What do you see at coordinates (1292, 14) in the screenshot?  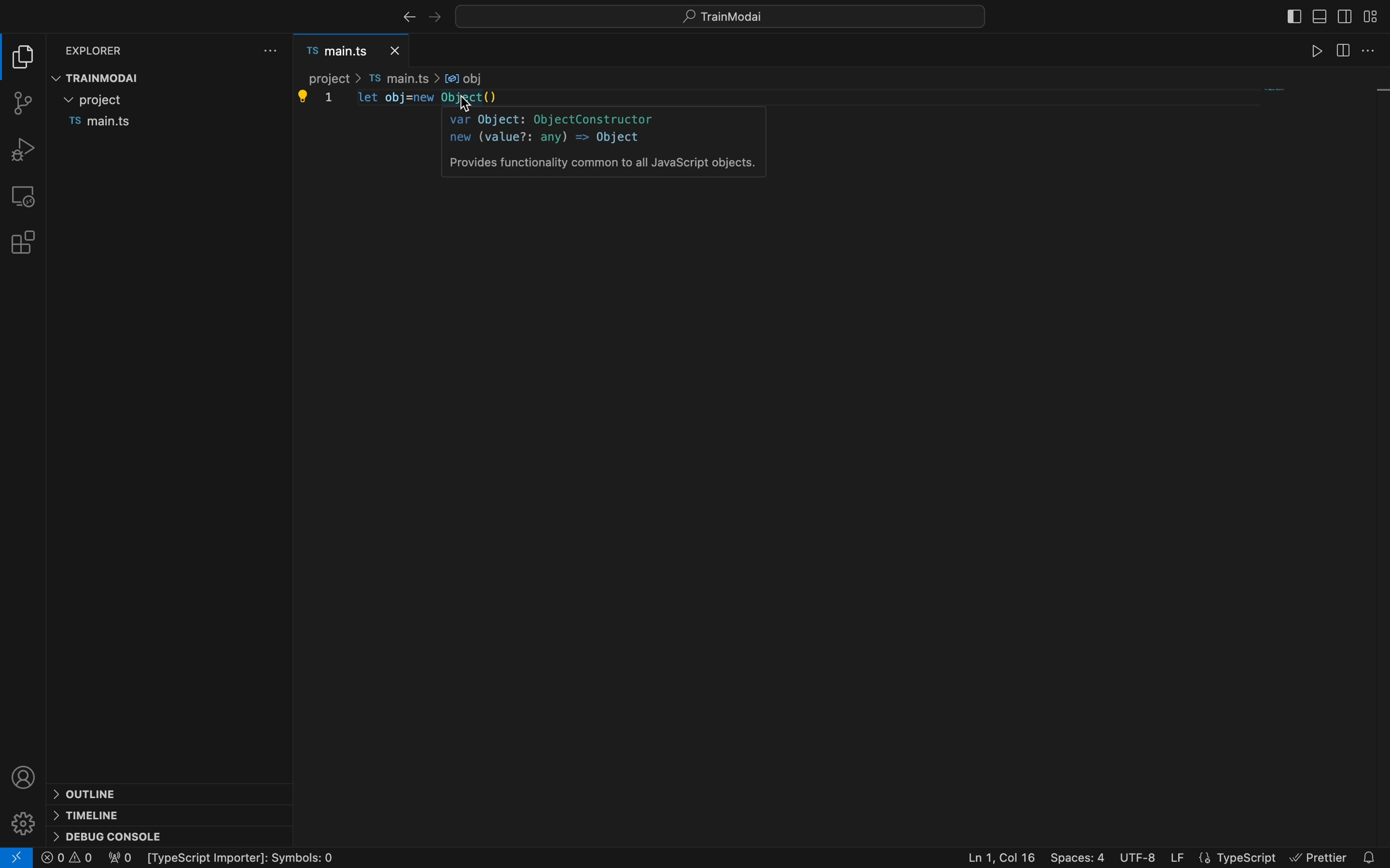 I see `toggle side bar` at bounding box center [1292, 14].